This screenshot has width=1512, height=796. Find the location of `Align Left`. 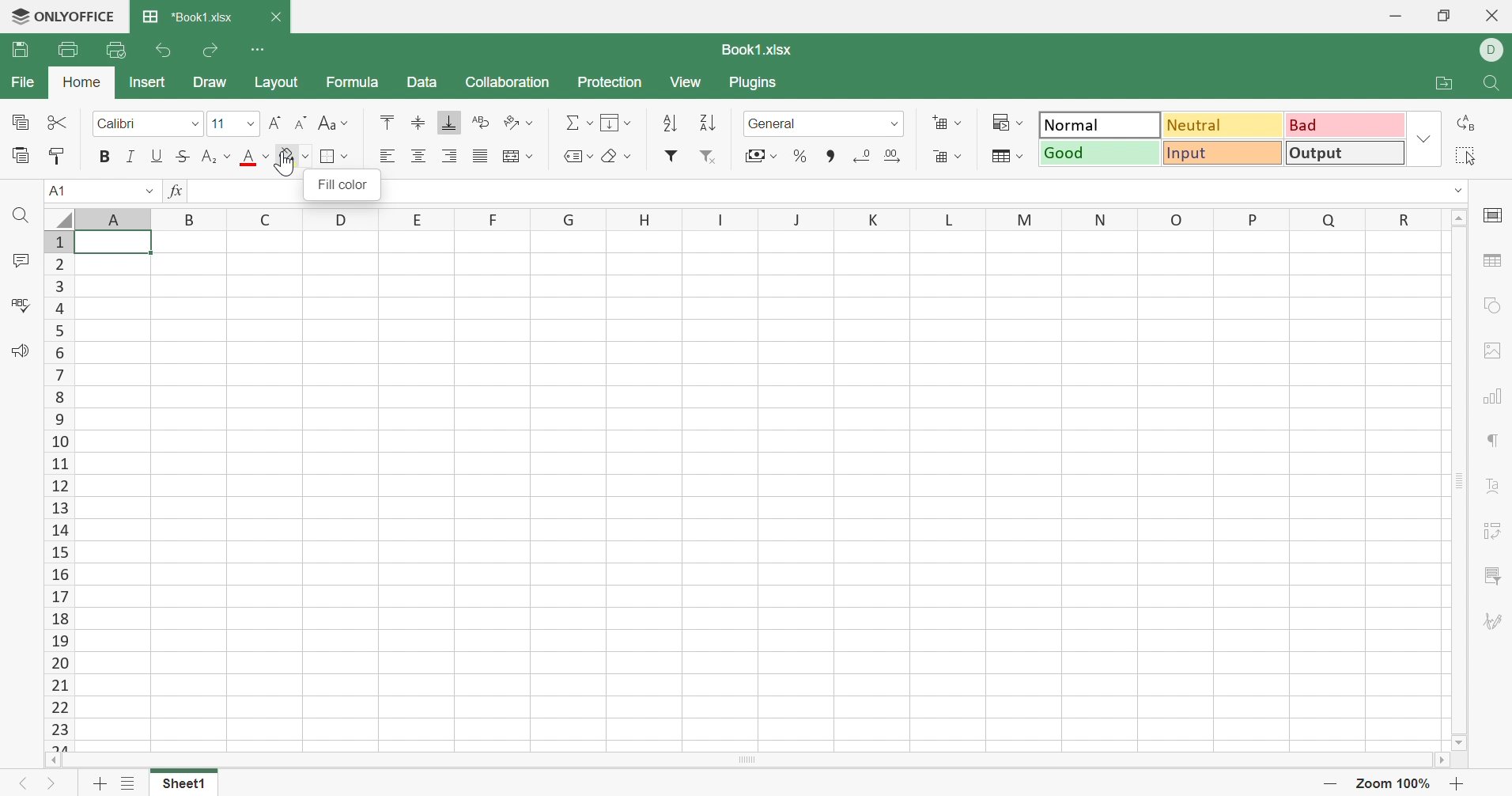

Align Left is located at coordinates (387, 153).